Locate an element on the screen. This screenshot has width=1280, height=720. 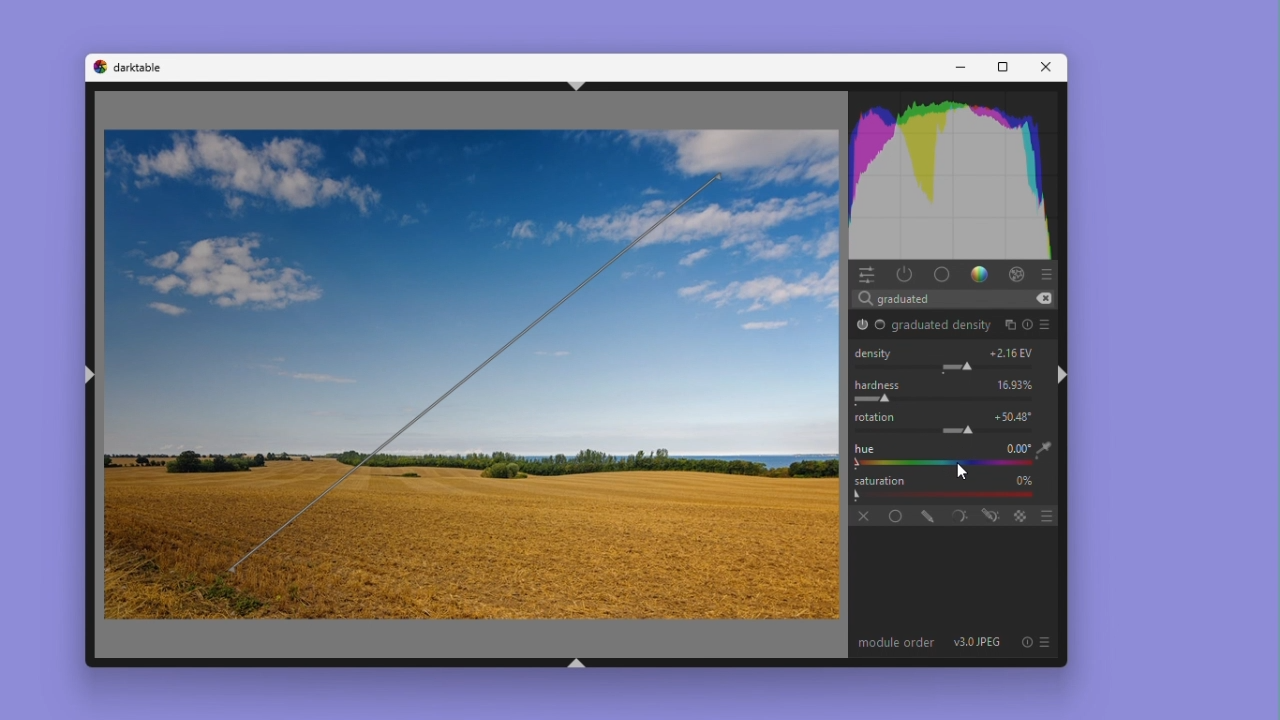
Module Parameter Adjustment Slider is located at coordinates (949, 367).